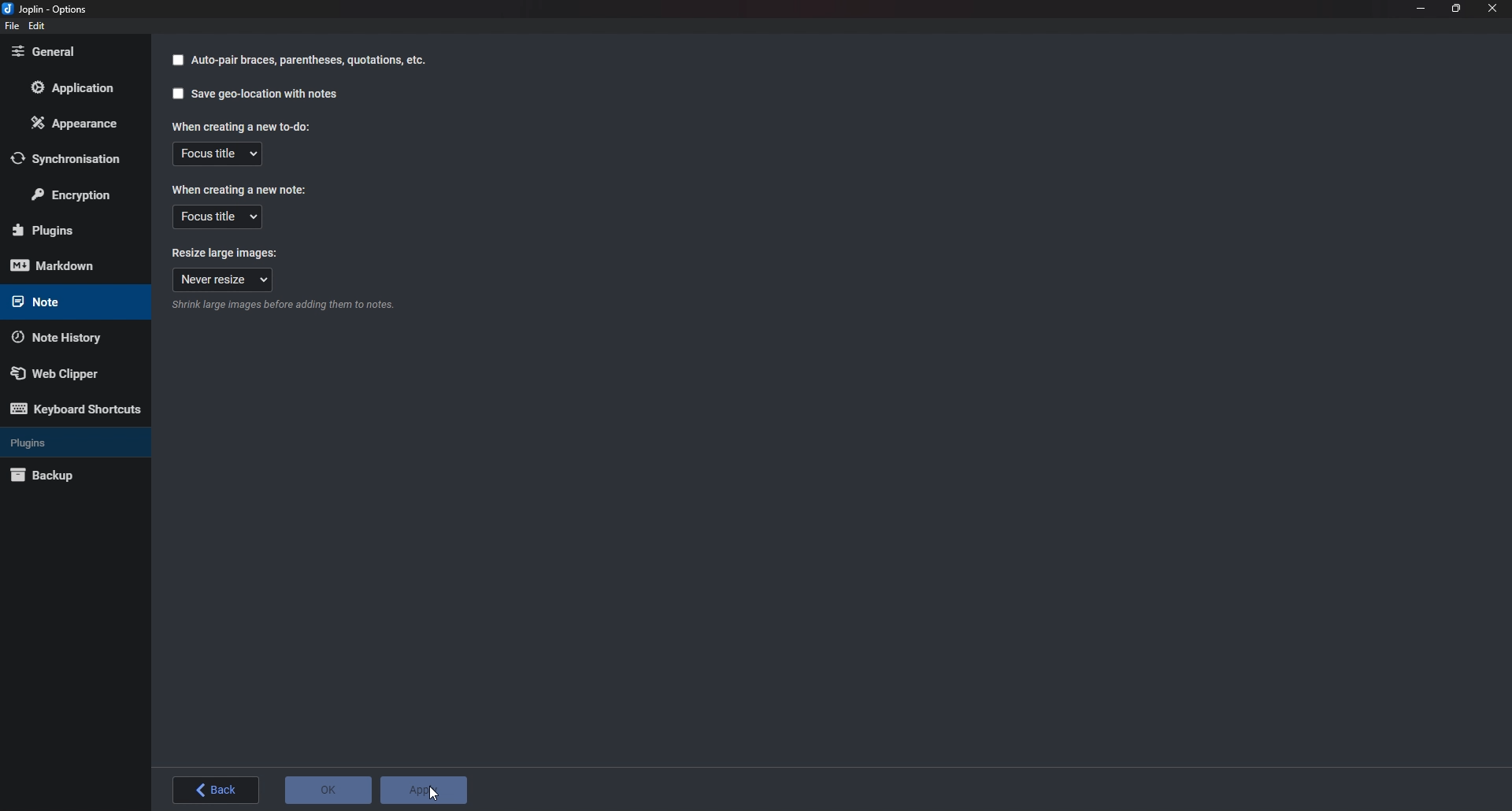  What do you see at coordinates (266, 94) in the screenshot?
I see `Saves geo location with notes` at bounding box center [266, 94].